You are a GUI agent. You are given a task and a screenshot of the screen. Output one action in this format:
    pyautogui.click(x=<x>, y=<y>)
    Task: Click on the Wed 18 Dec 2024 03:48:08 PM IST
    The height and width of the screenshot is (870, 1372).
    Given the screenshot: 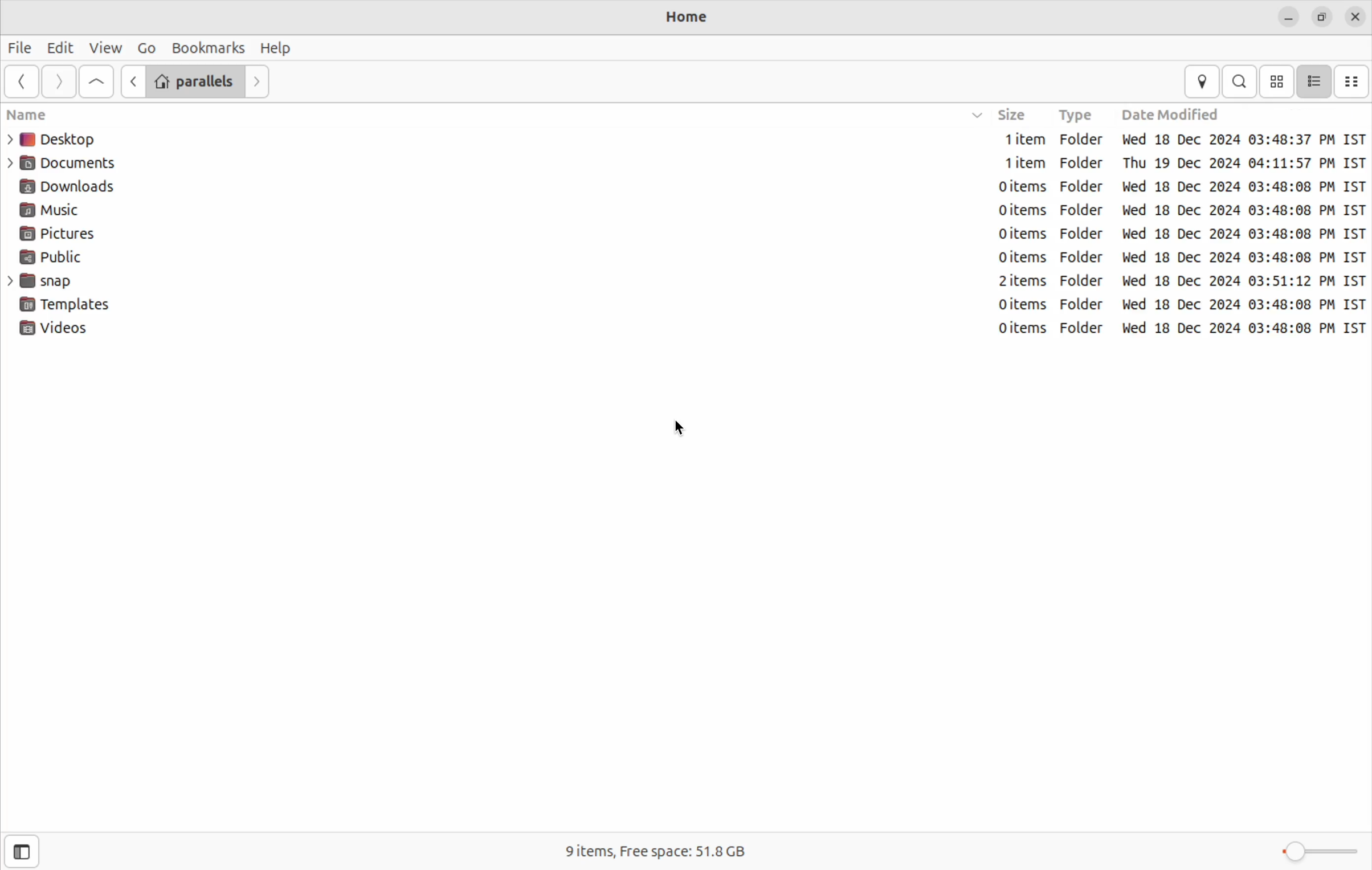 What is the action you would take?
    pyautogui.click(x=1242, y=328)
    